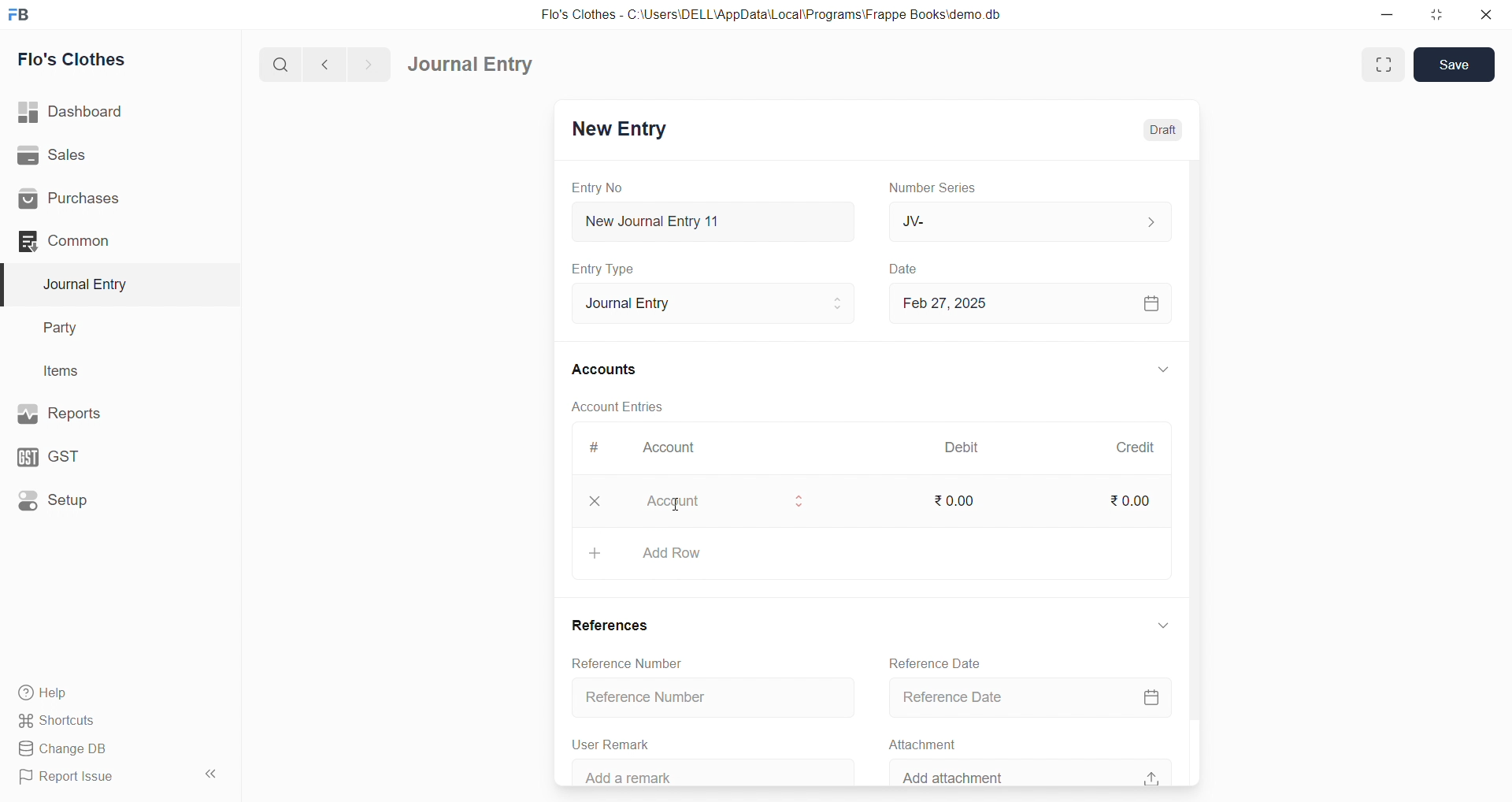 This screenshot has height=802, width=1512. What do you see at coordinates (611, 623) in the screenshot?
I see `References` at bounding box center [611, 623].